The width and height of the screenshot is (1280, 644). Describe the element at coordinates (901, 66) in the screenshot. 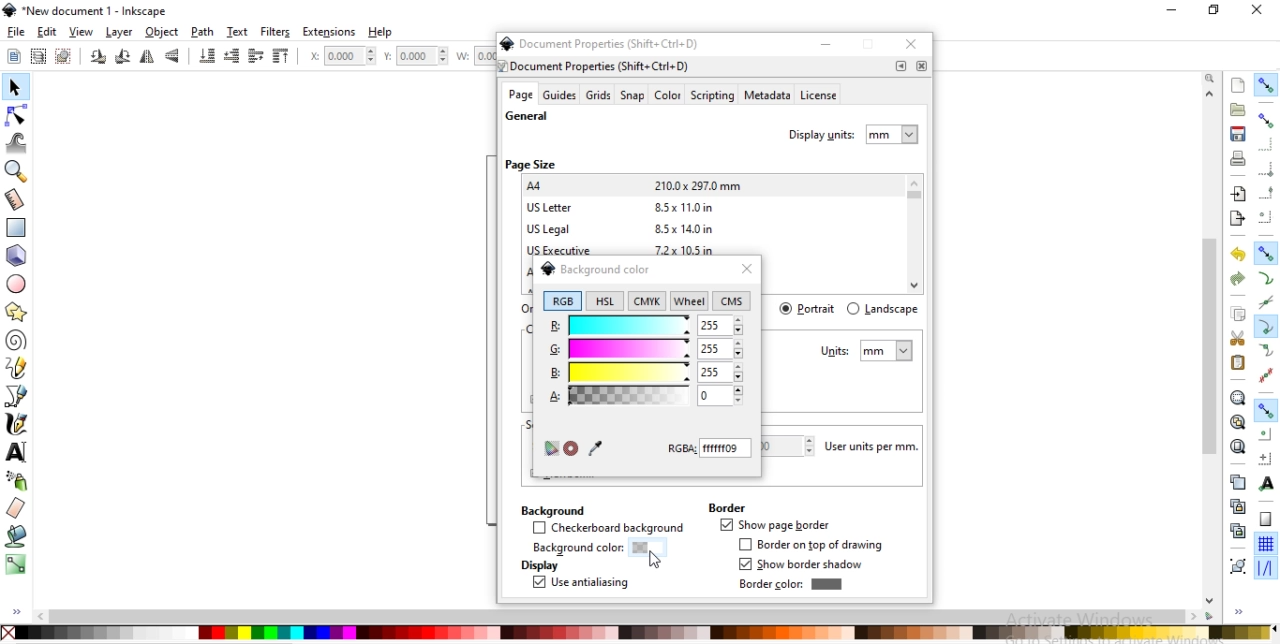

I see `.` at that location.